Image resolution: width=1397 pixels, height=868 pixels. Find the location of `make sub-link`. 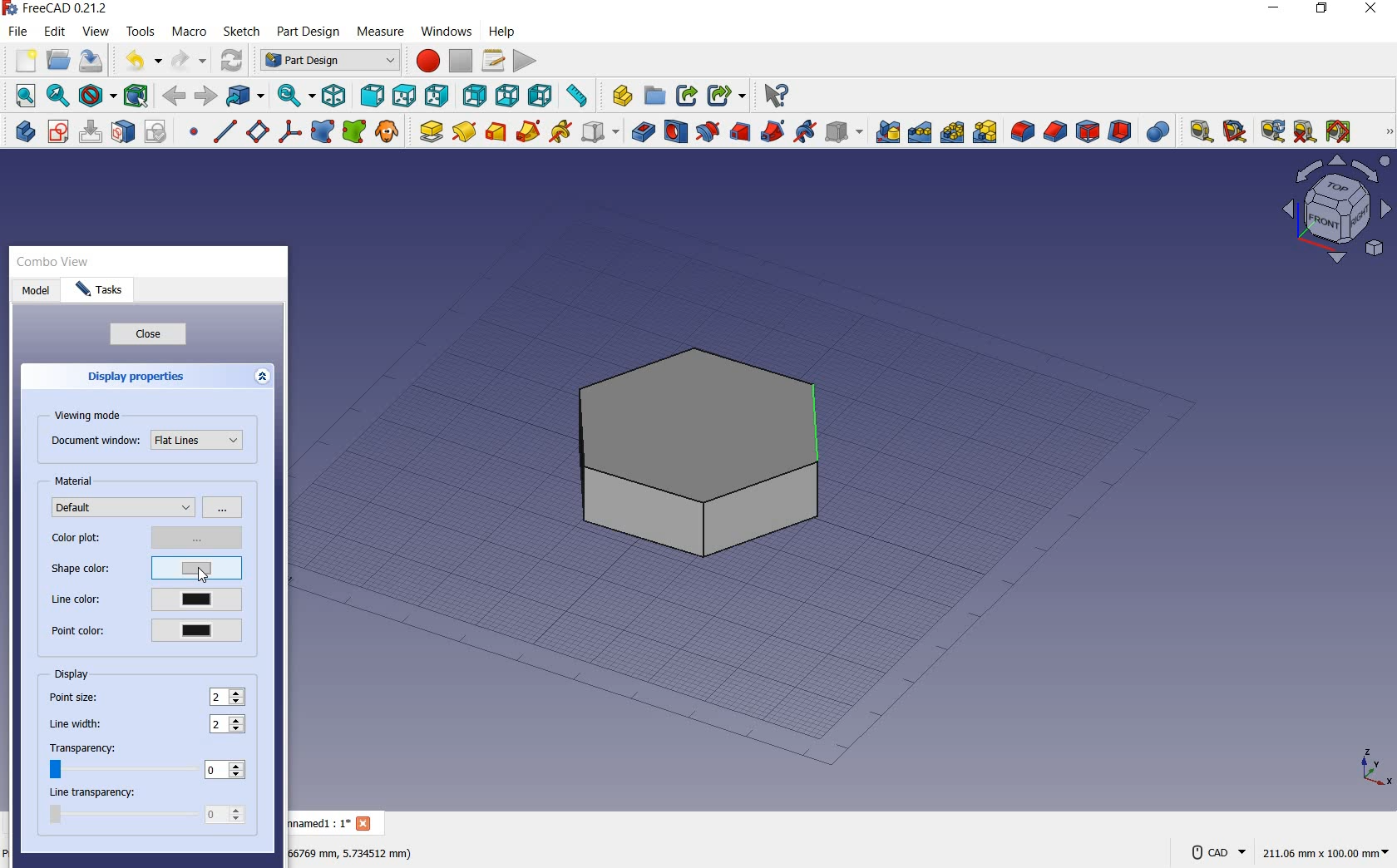

make sub-link is located at coordinates (724, 96).